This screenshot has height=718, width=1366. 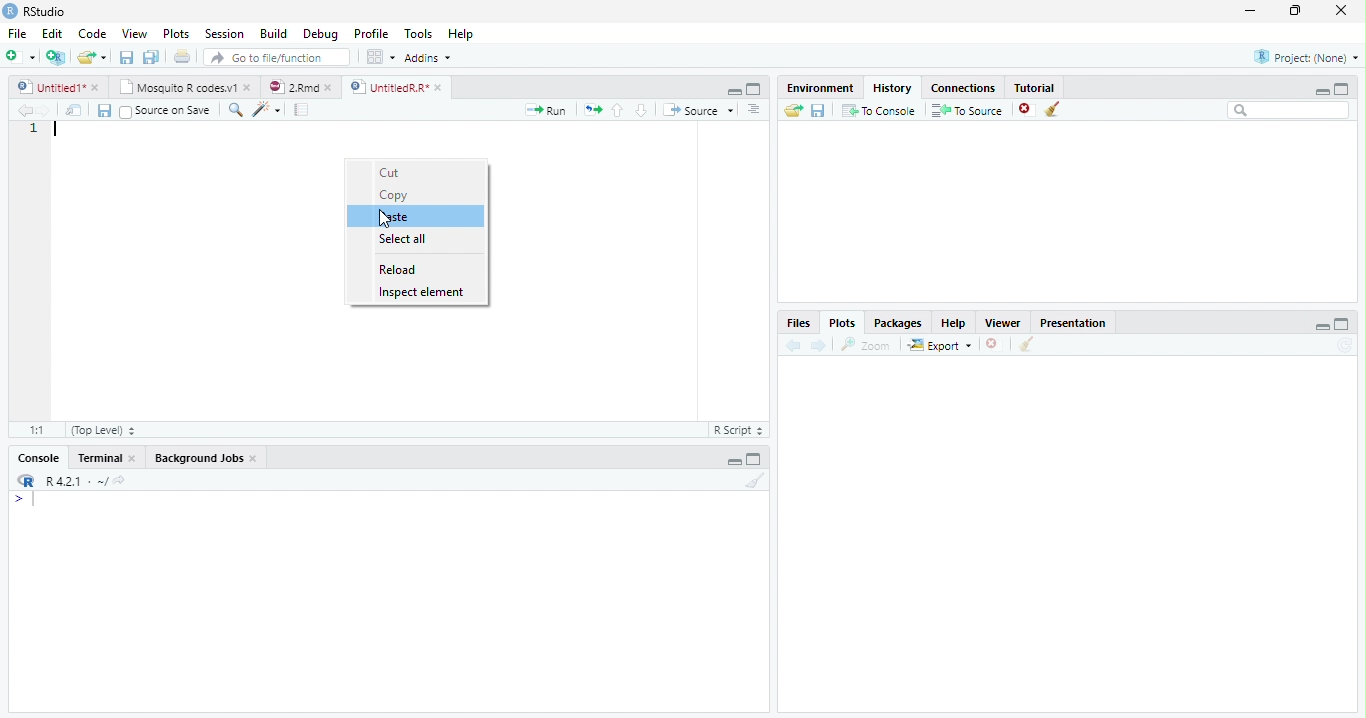 I want to click on Maximize, so click(x=755, y=90).